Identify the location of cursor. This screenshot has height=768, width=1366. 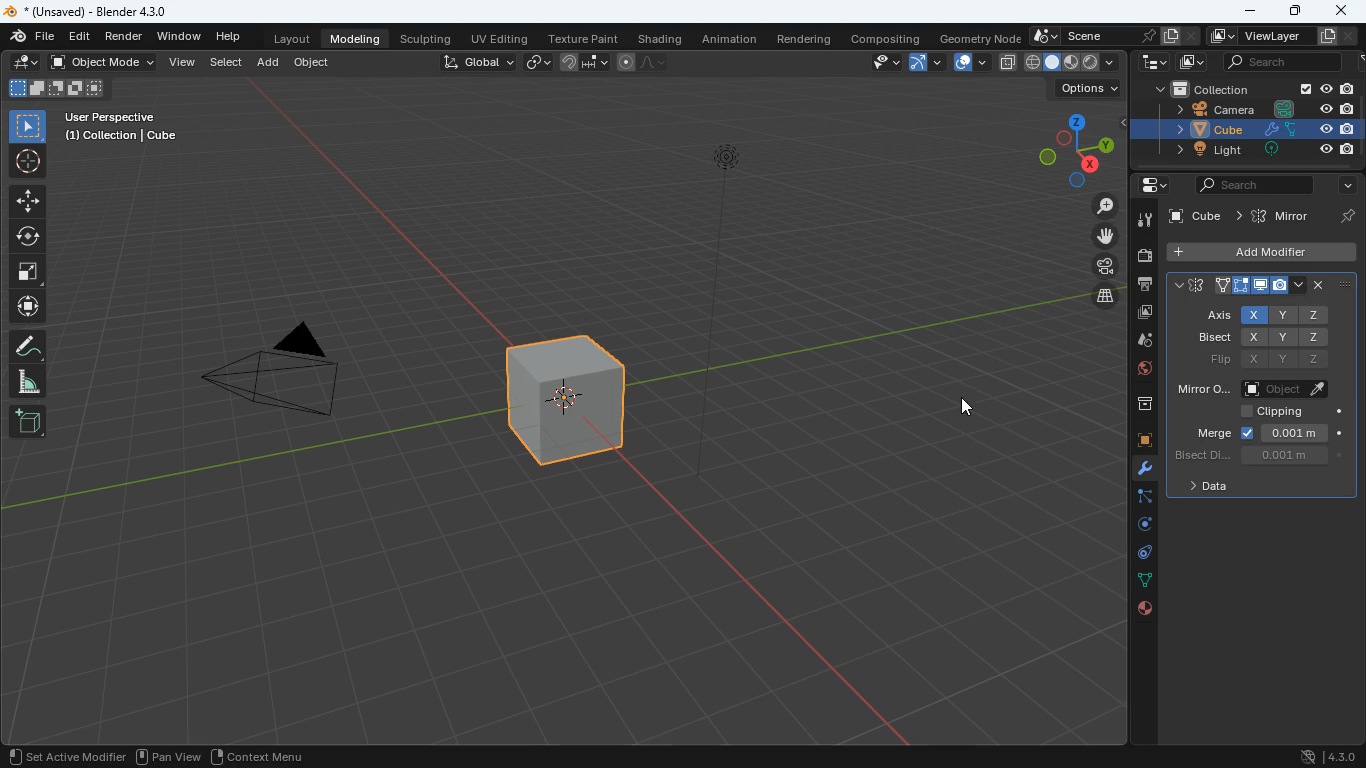
(970, 406).